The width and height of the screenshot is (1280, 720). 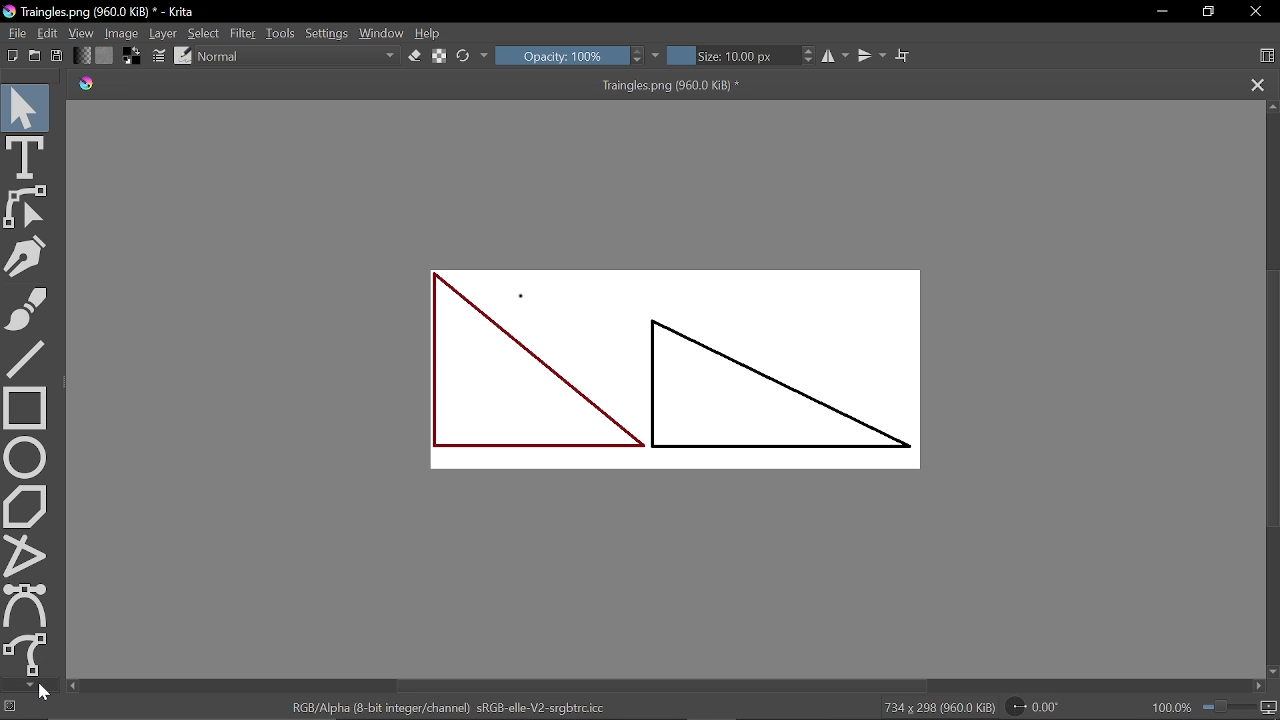 What do you see at coordinates (452, 707) in the screenshot?
I see `RGB/Alpha (8-bit integer/channel) sRGE-elle-V2-srgbtrc.icc` at bounding box center [452, 707].